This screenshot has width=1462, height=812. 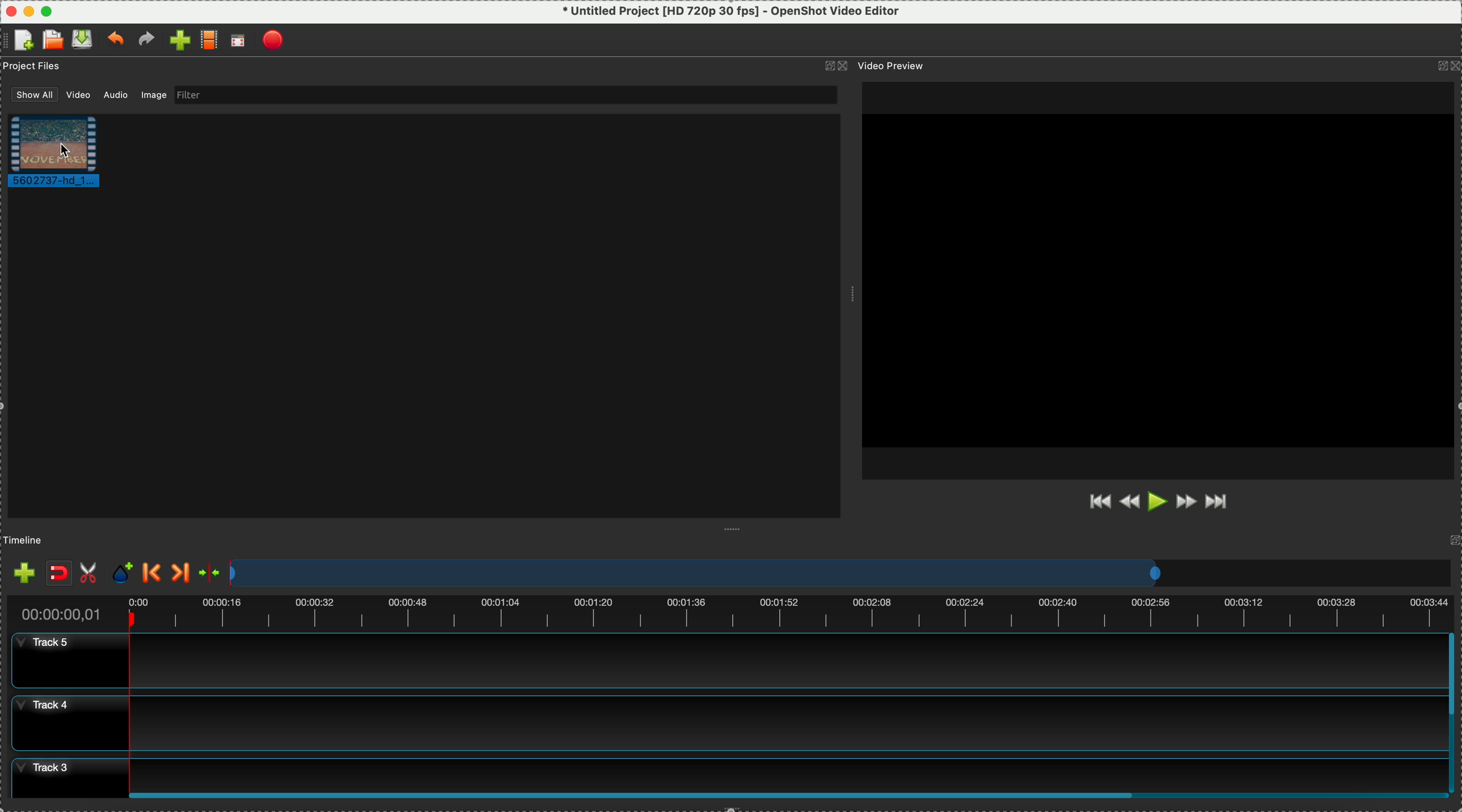 What do you see at coordinates (725, 660) in the screenshot?
I see `track 5` at bounding box center [725, 660].